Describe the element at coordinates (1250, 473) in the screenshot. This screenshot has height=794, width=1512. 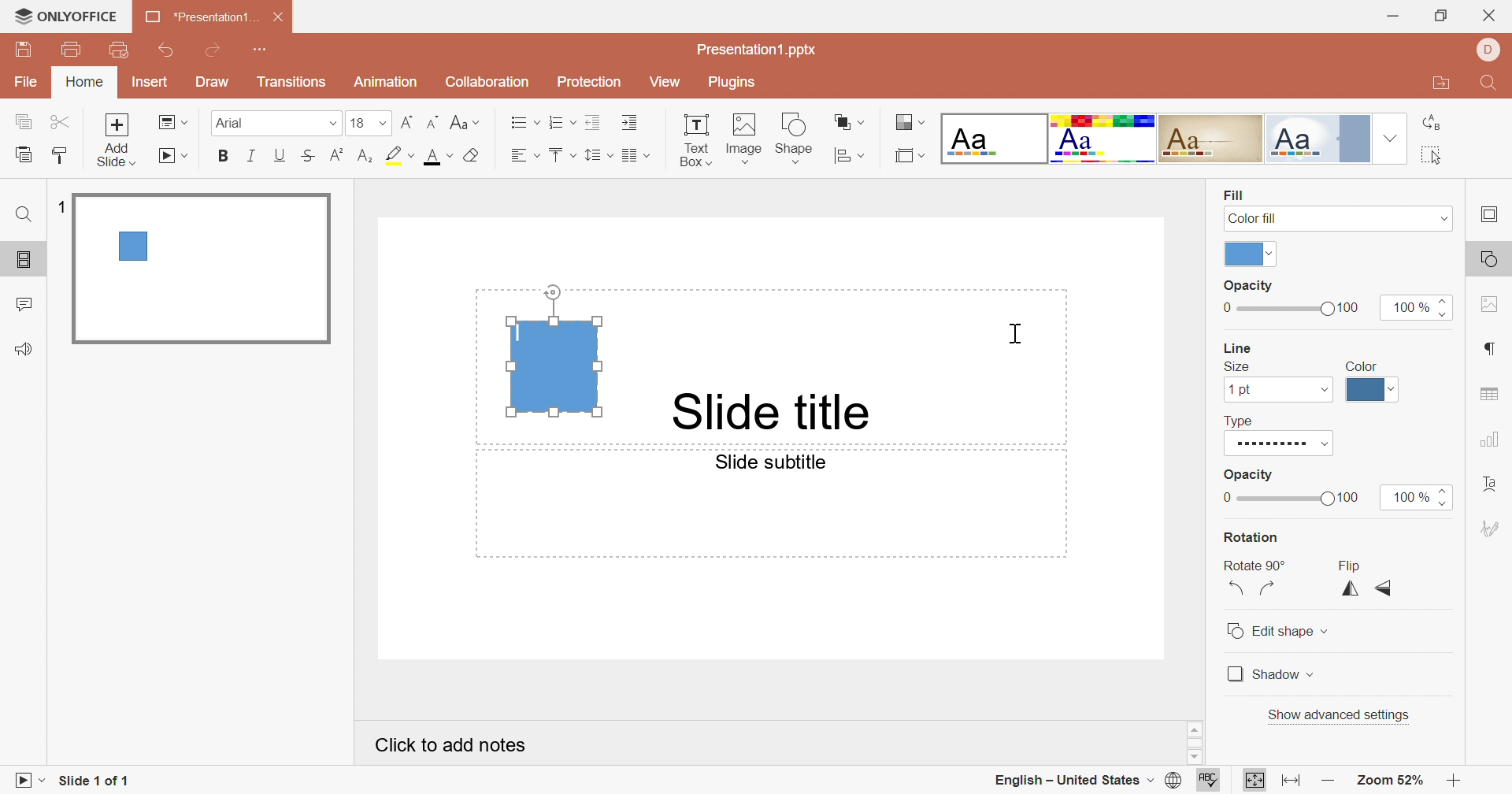
I see `Opacity` at that location.